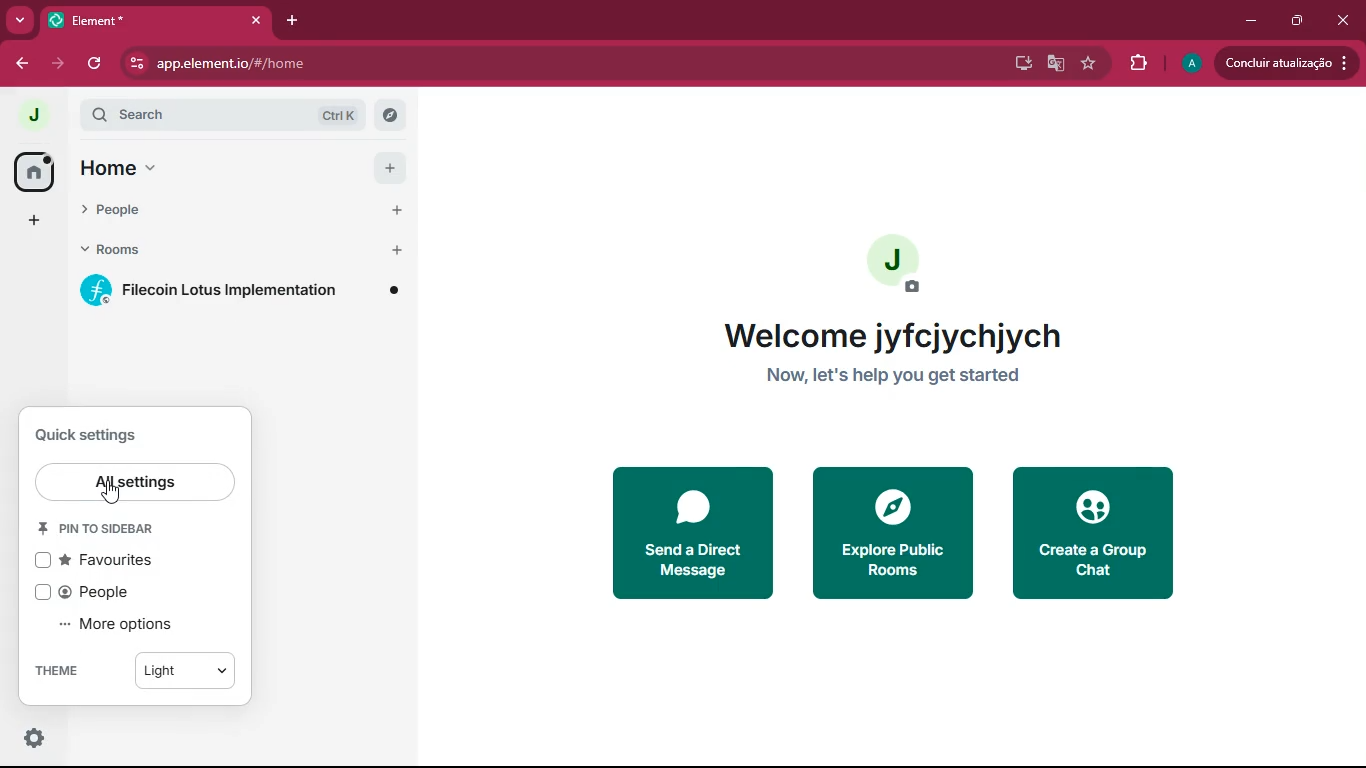  I want to click on people, so click(107, 591).